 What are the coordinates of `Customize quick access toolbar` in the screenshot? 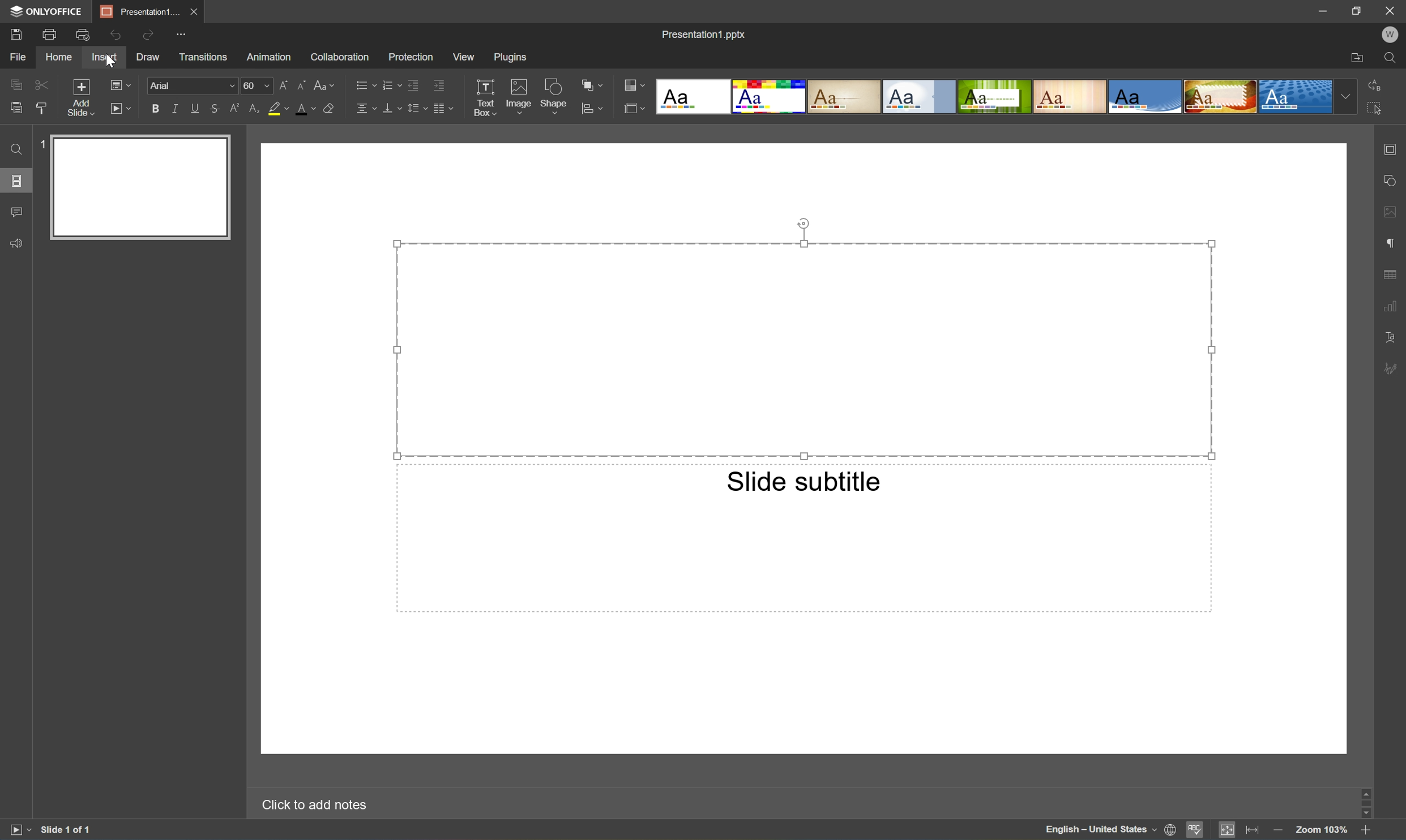 It's located at (181, 36).